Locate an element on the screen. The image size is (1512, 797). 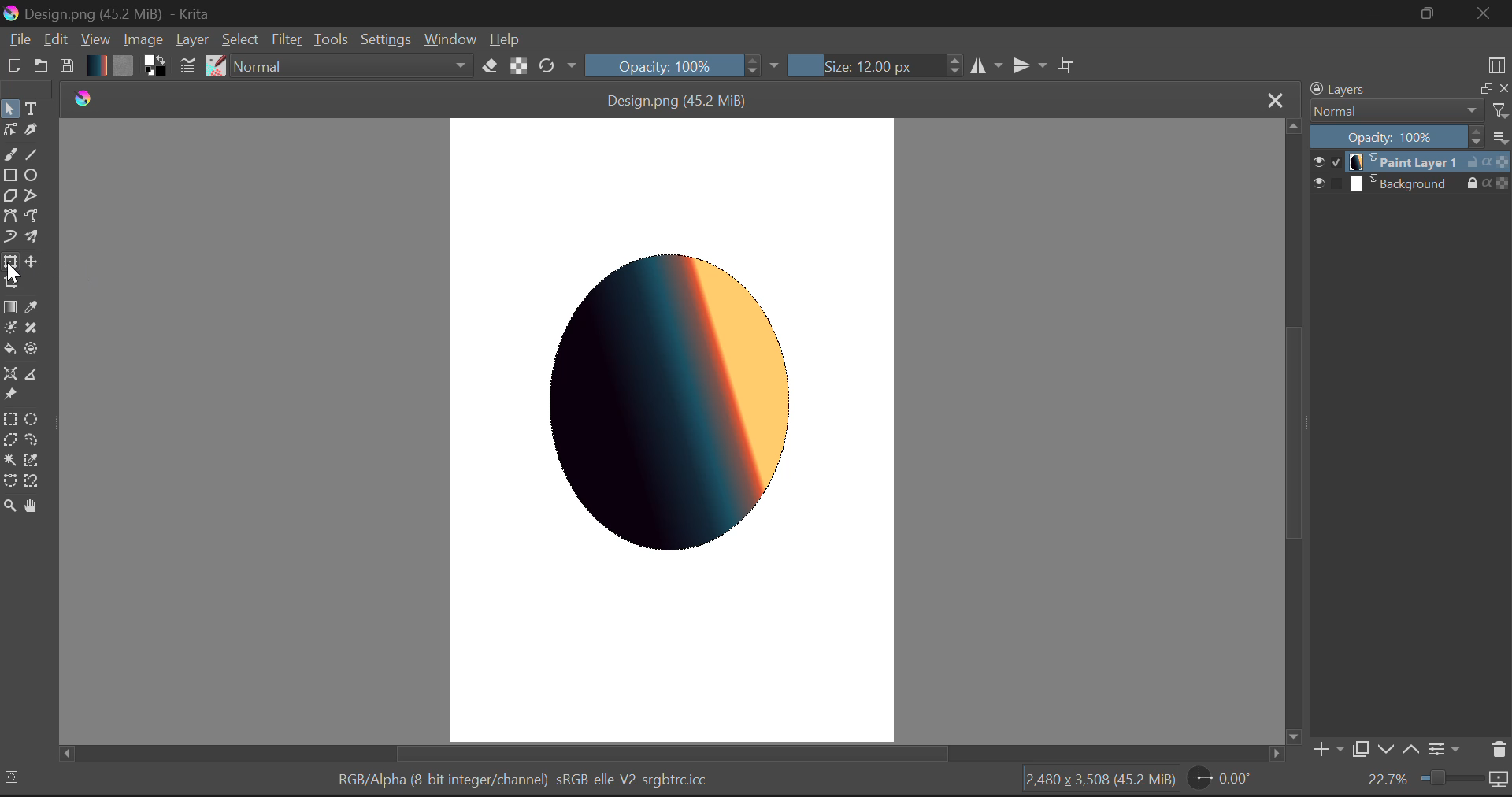
Transform Layer is located at coordinates (10, 261).